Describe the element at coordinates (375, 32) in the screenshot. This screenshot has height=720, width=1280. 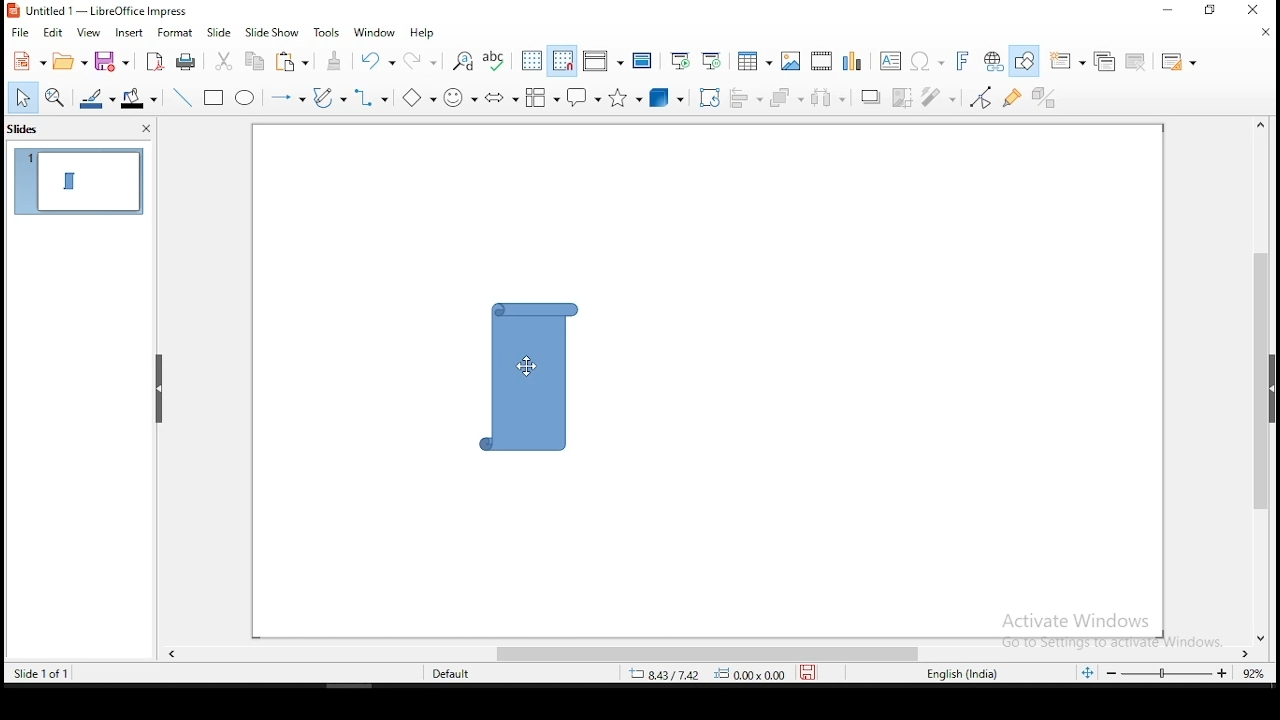
I see `window` at that location.